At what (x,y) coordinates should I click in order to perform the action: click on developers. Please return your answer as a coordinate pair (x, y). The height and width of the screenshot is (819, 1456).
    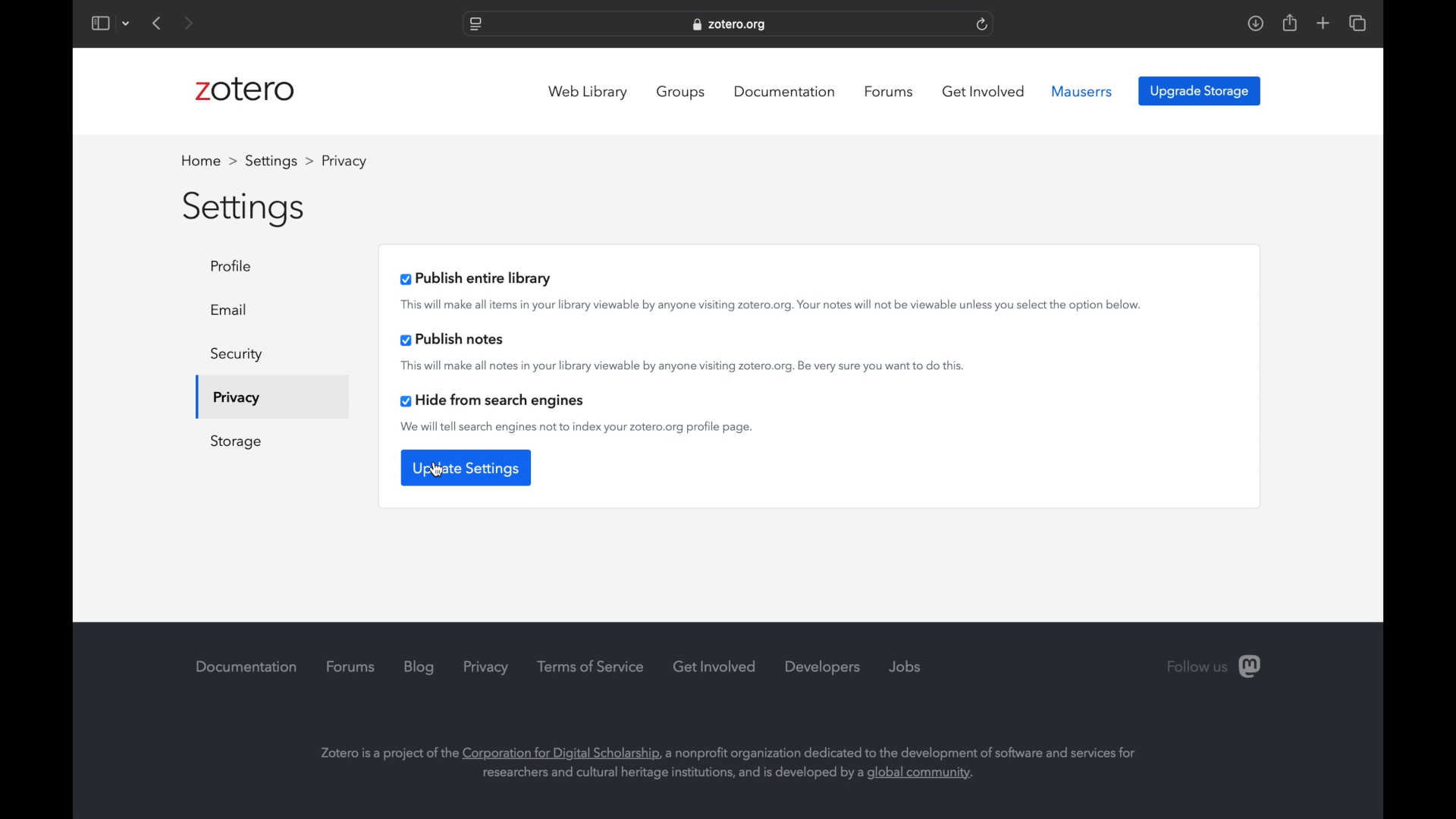
    Looking at the image, I should click on (823, 667).